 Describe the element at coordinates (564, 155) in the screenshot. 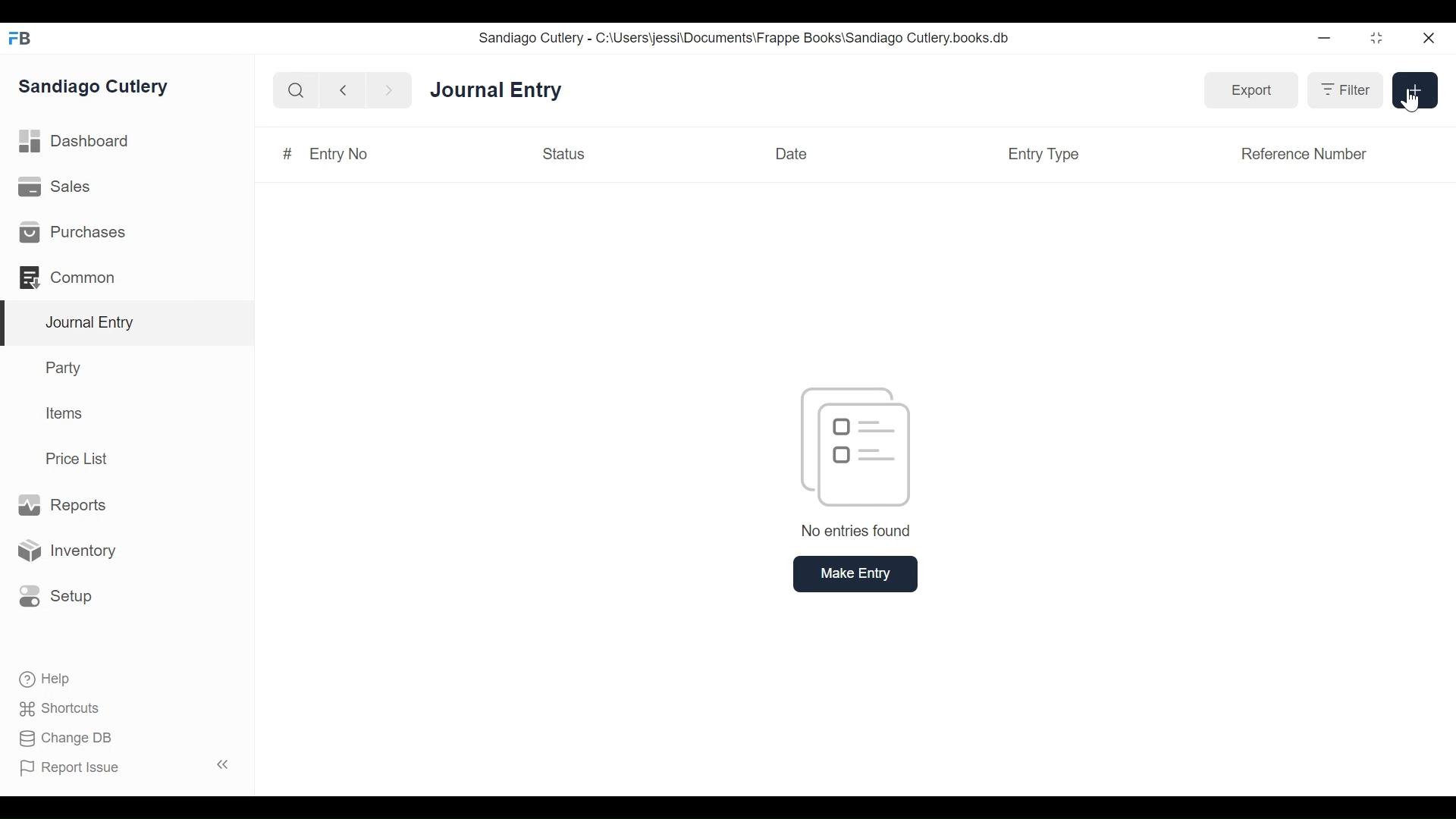

I see `Status` at that location.